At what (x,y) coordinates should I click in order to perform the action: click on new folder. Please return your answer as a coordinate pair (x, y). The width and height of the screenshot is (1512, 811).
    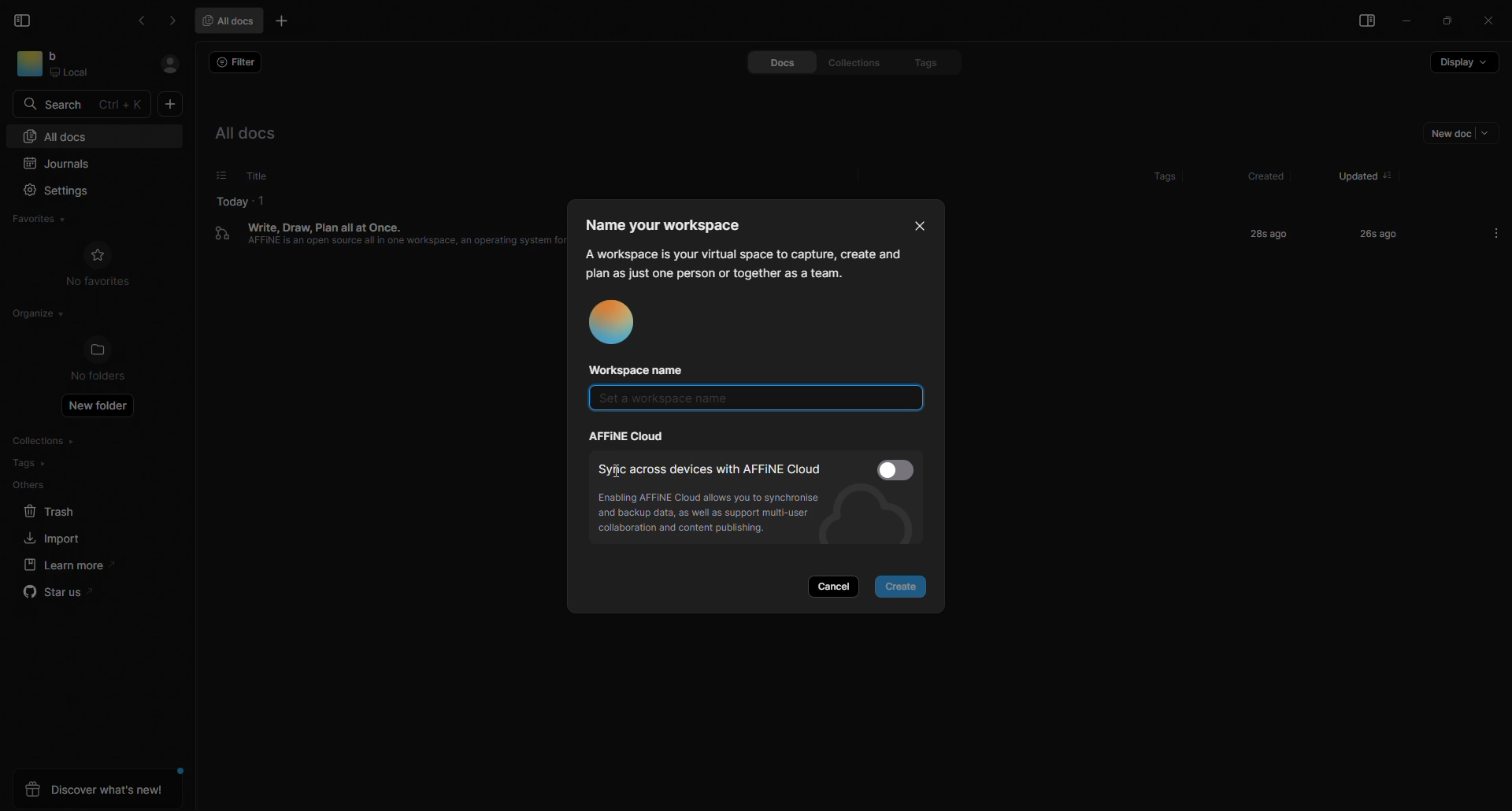
    Looking at the image, I should click on (102, 409).